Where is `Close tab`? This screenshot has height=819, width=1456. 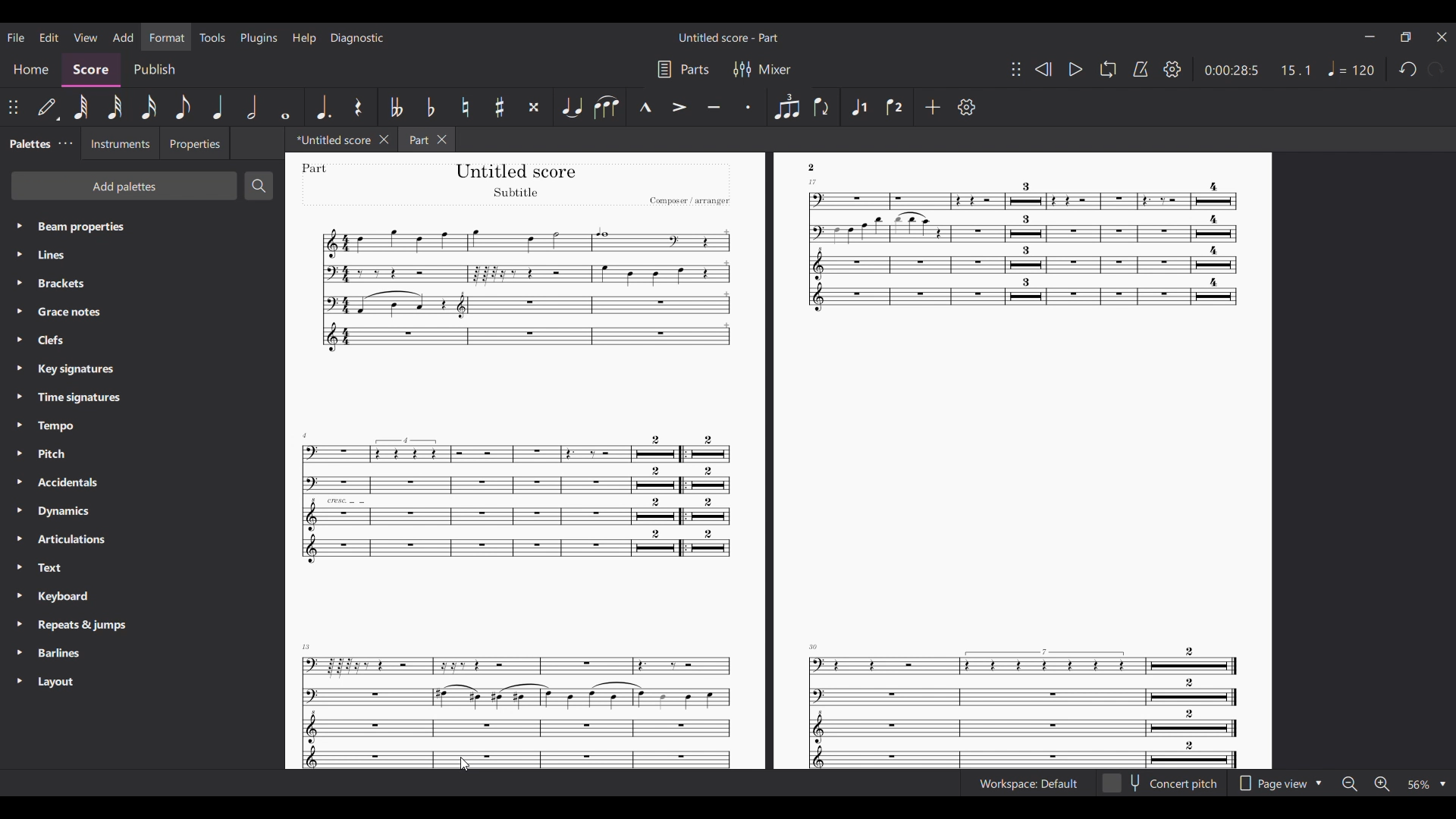 Close tab is located at coordinates (442, 140).